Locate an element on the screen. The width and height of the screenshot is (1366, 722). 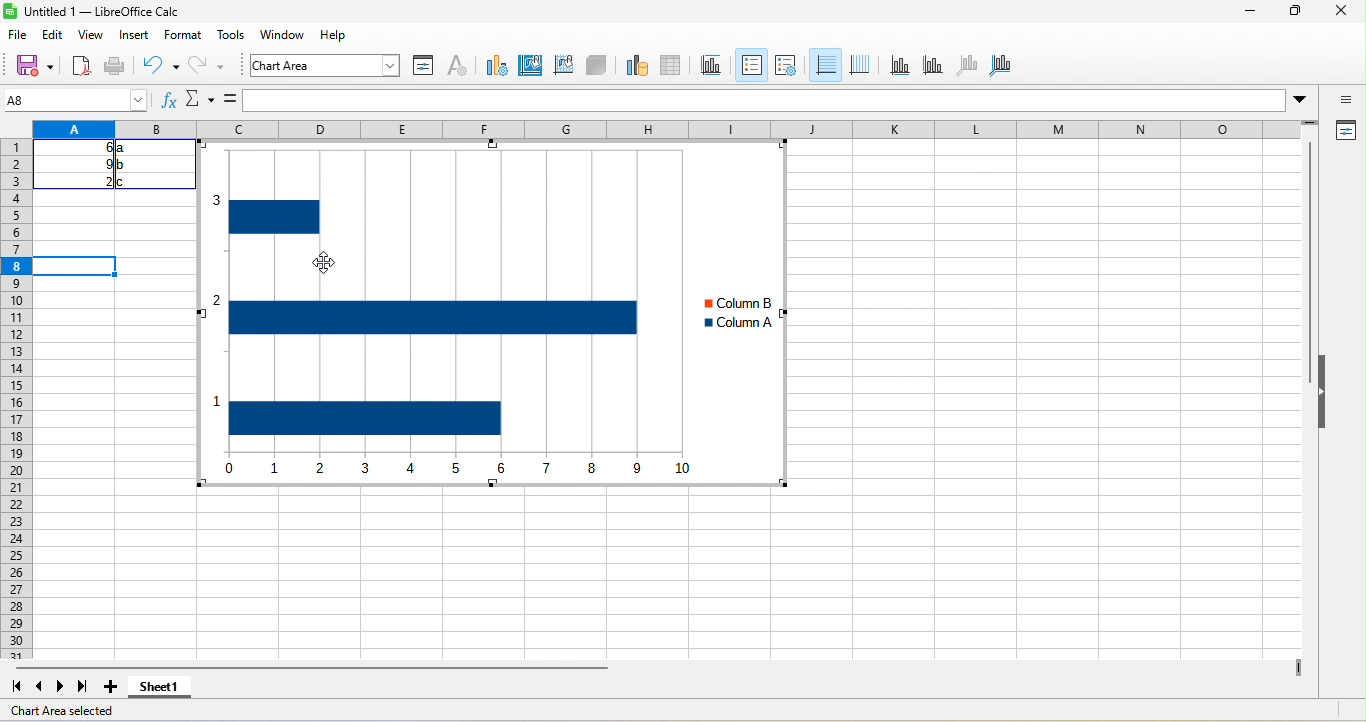
9 is located at coordinates (94, 165).